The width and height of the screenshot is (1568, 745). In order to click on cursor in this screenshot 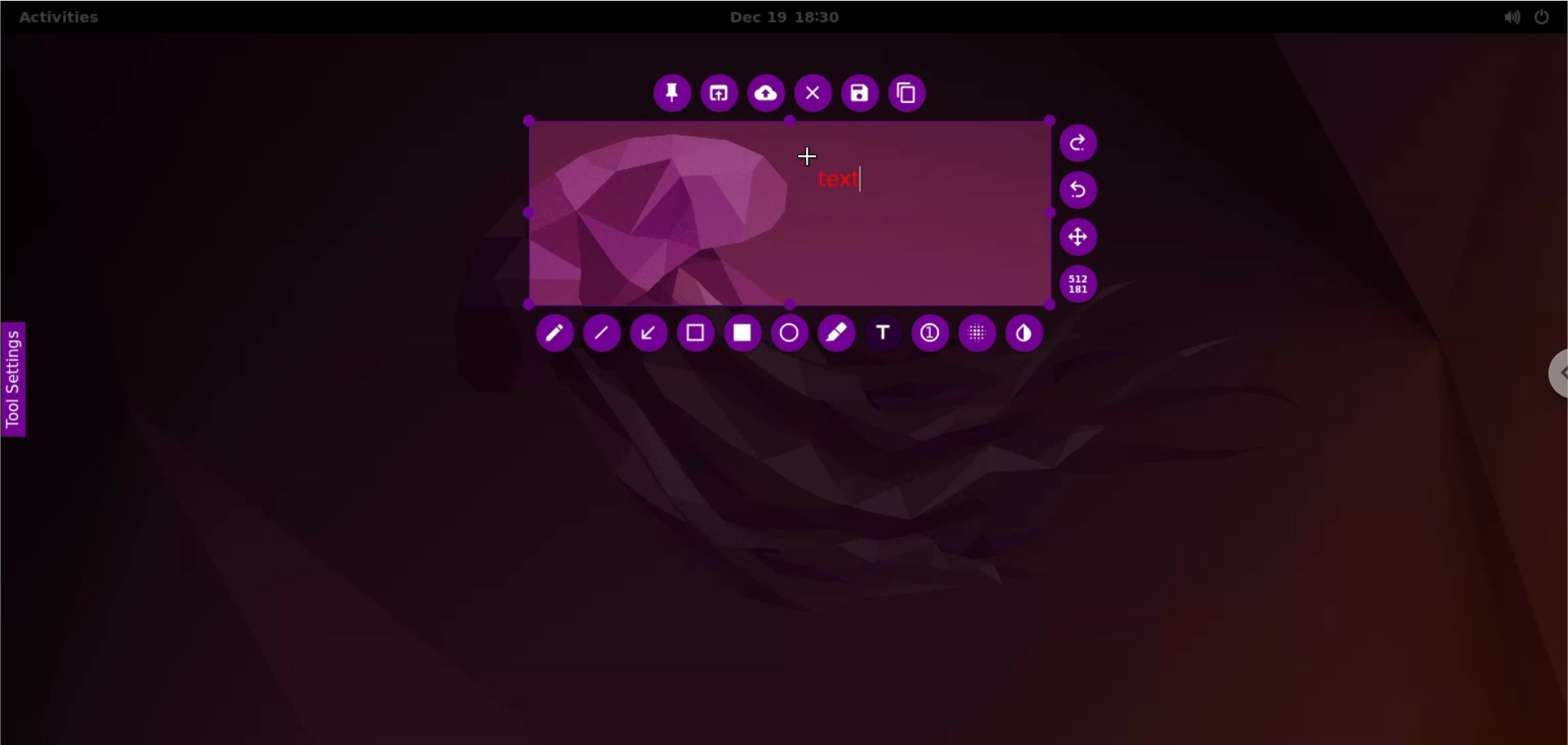, I will do `click(808, 154)`.